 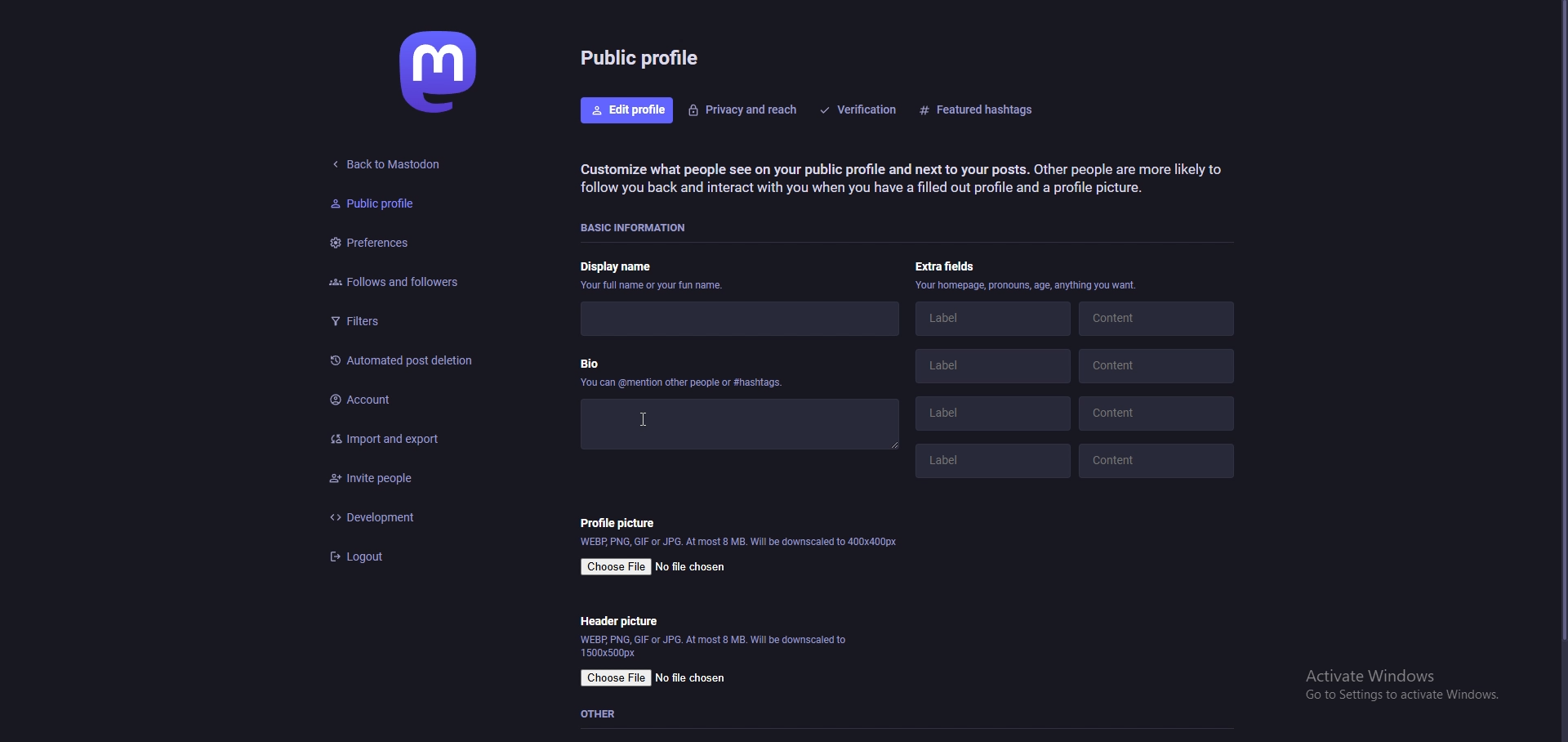 What do you see at coordinates (403, 242) in the screenshot?
I see `preferences` at bounding box center [403, 242].